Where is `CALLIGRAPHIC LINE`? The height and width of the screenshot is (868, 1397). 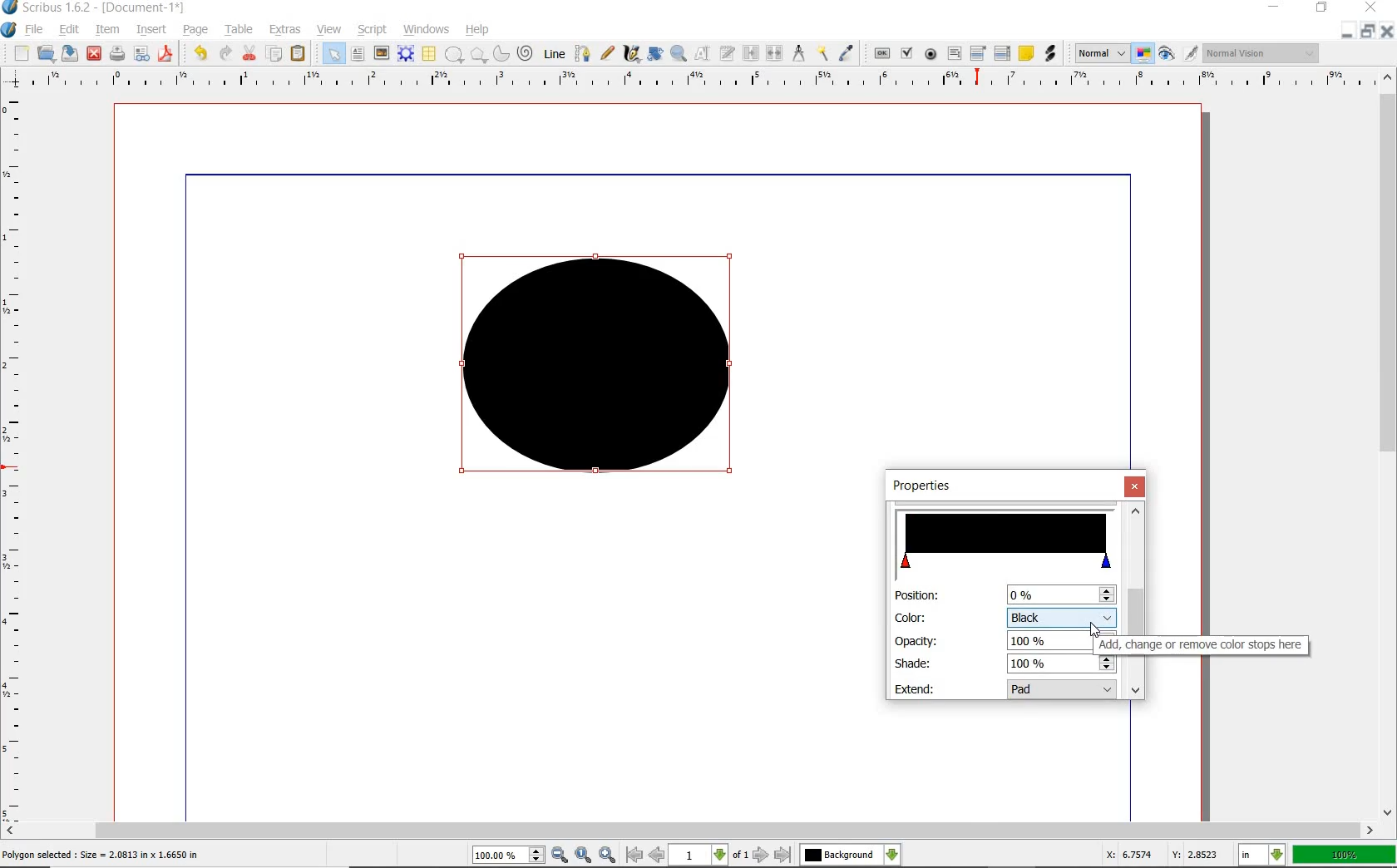 CALLIGRAPHIC LINE is located at coordinates (631, 54).